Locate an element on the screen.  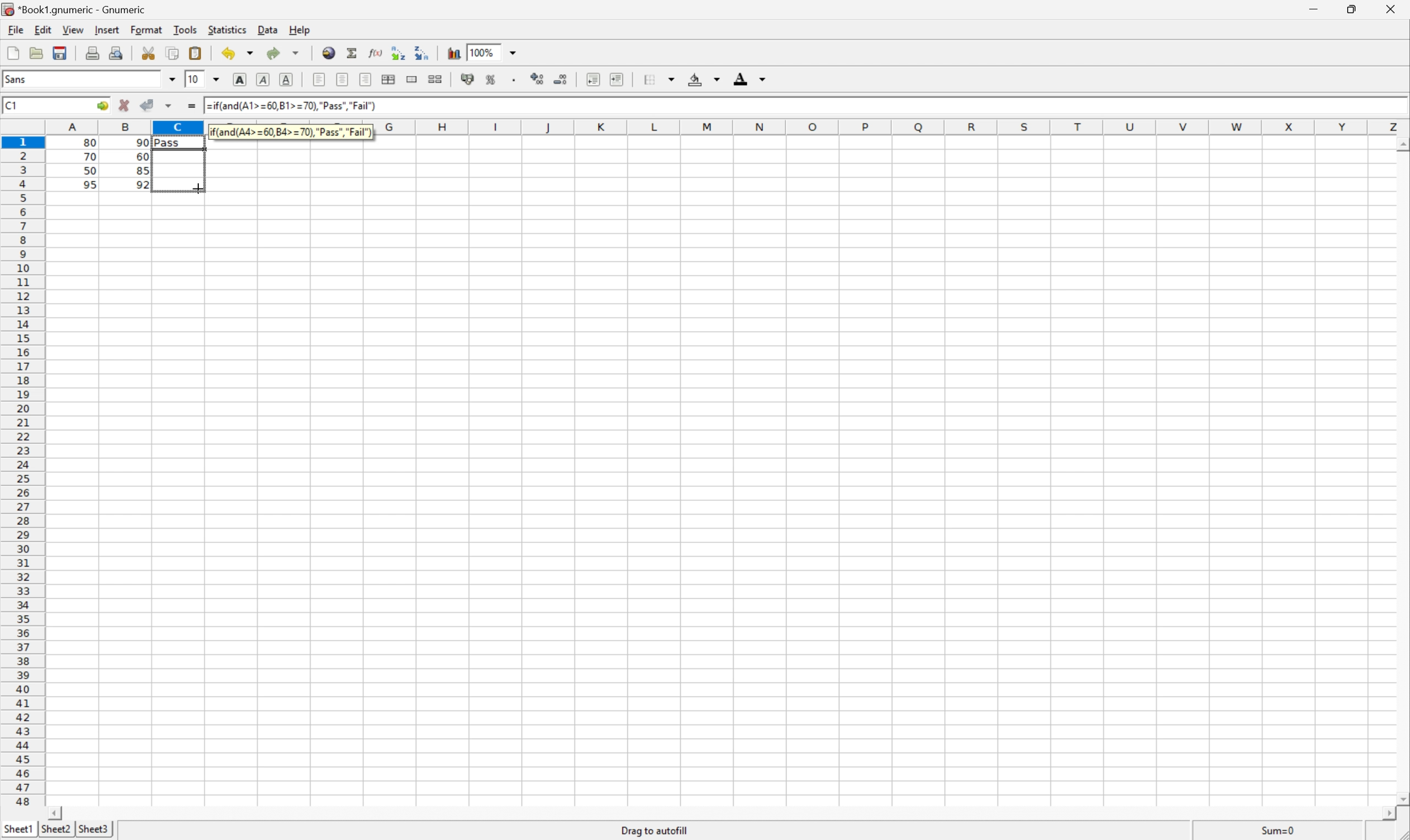
Insert hyperlink is located at coordinates (329, 51).